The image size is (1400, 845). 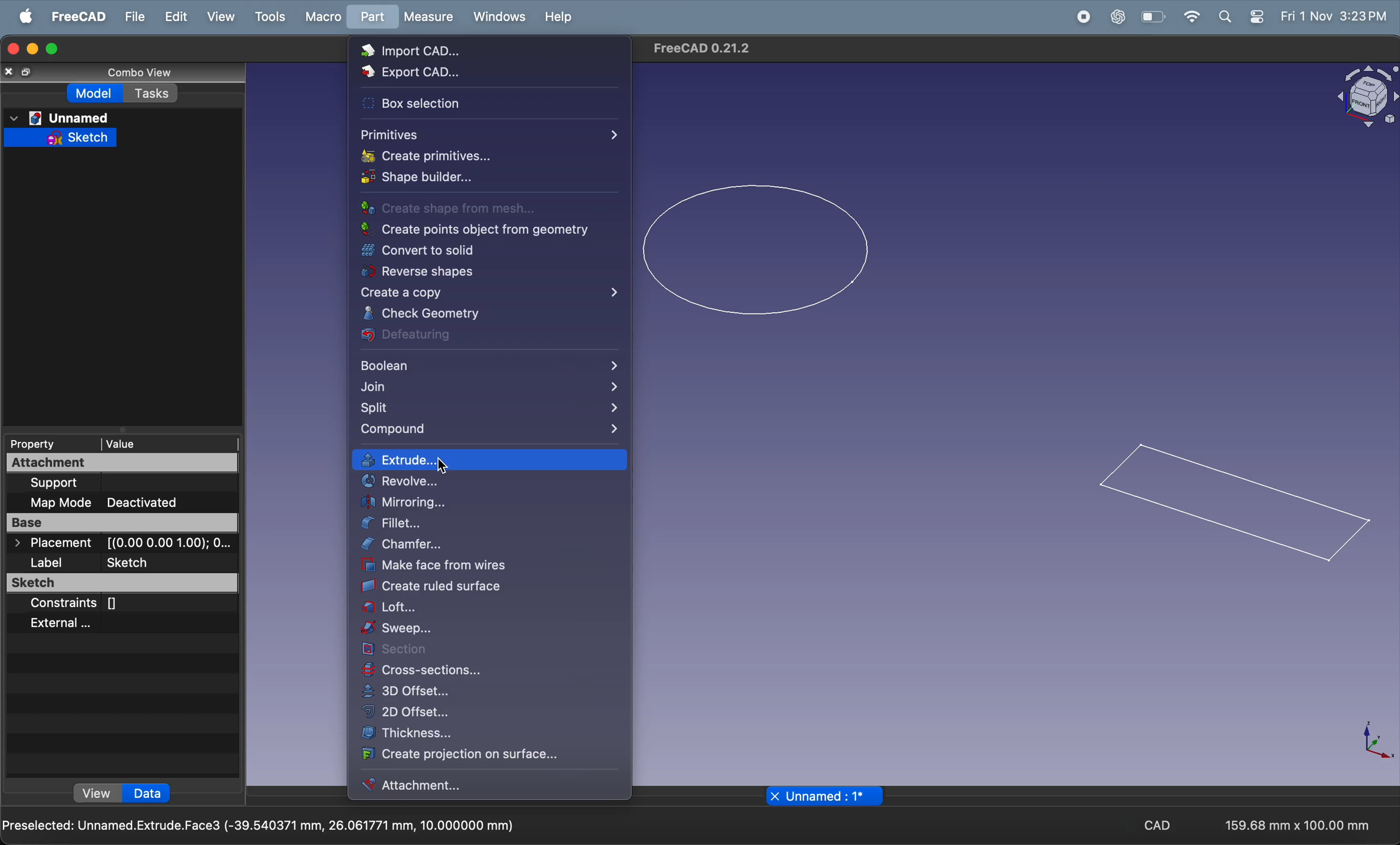 I want to click on closing window, so click(x=12, y=49).